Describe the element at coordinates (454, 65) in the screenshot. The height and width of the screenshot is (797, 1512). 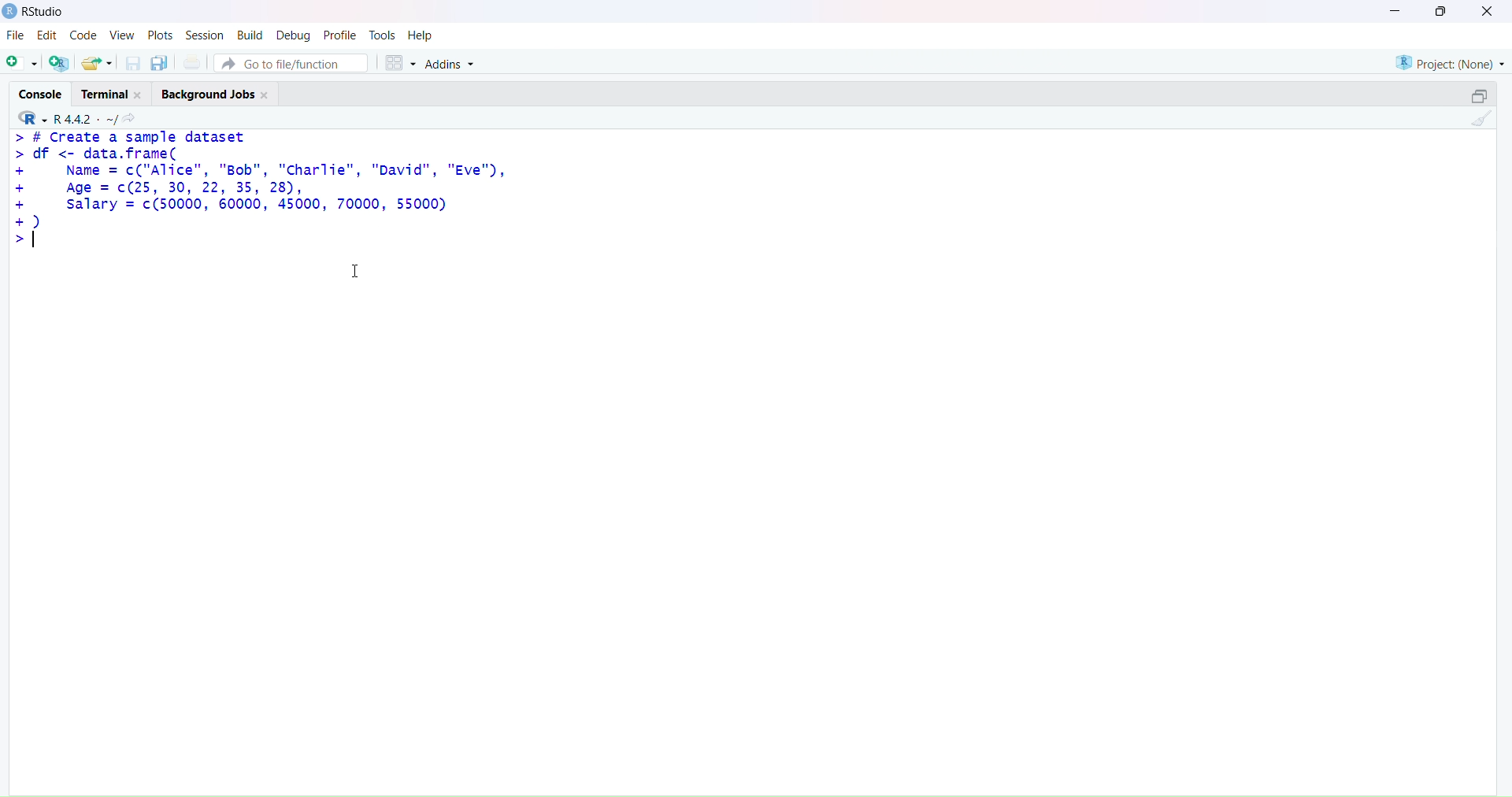
I see `addins` at that location.